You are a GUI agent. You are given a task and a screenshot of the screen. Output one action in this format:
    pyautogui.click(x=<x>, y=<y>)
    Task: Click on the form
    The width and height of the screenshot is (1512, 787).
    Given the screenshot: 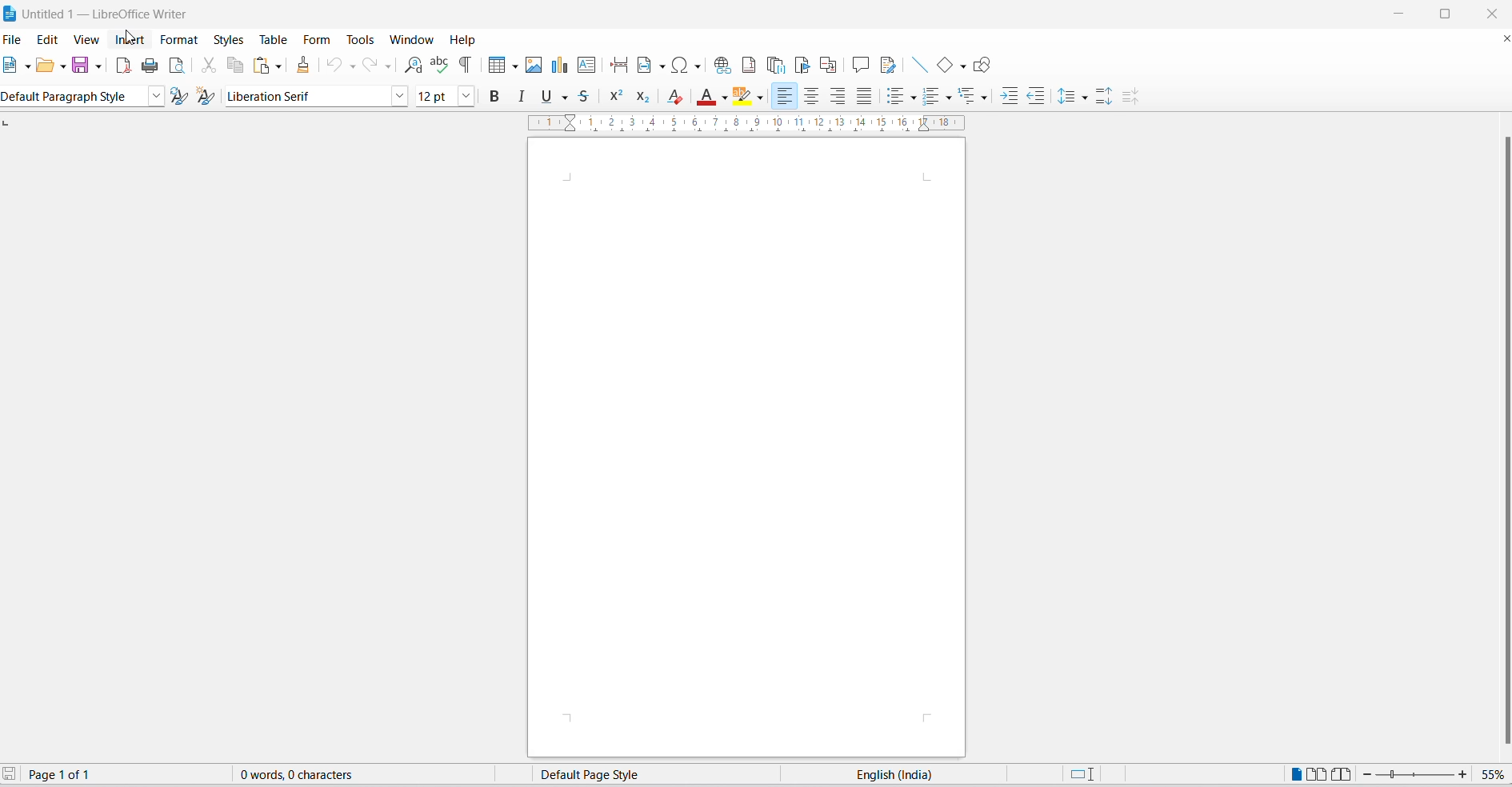 What is the action you would take?
    pyautogui.click(x=317, y=40)
    